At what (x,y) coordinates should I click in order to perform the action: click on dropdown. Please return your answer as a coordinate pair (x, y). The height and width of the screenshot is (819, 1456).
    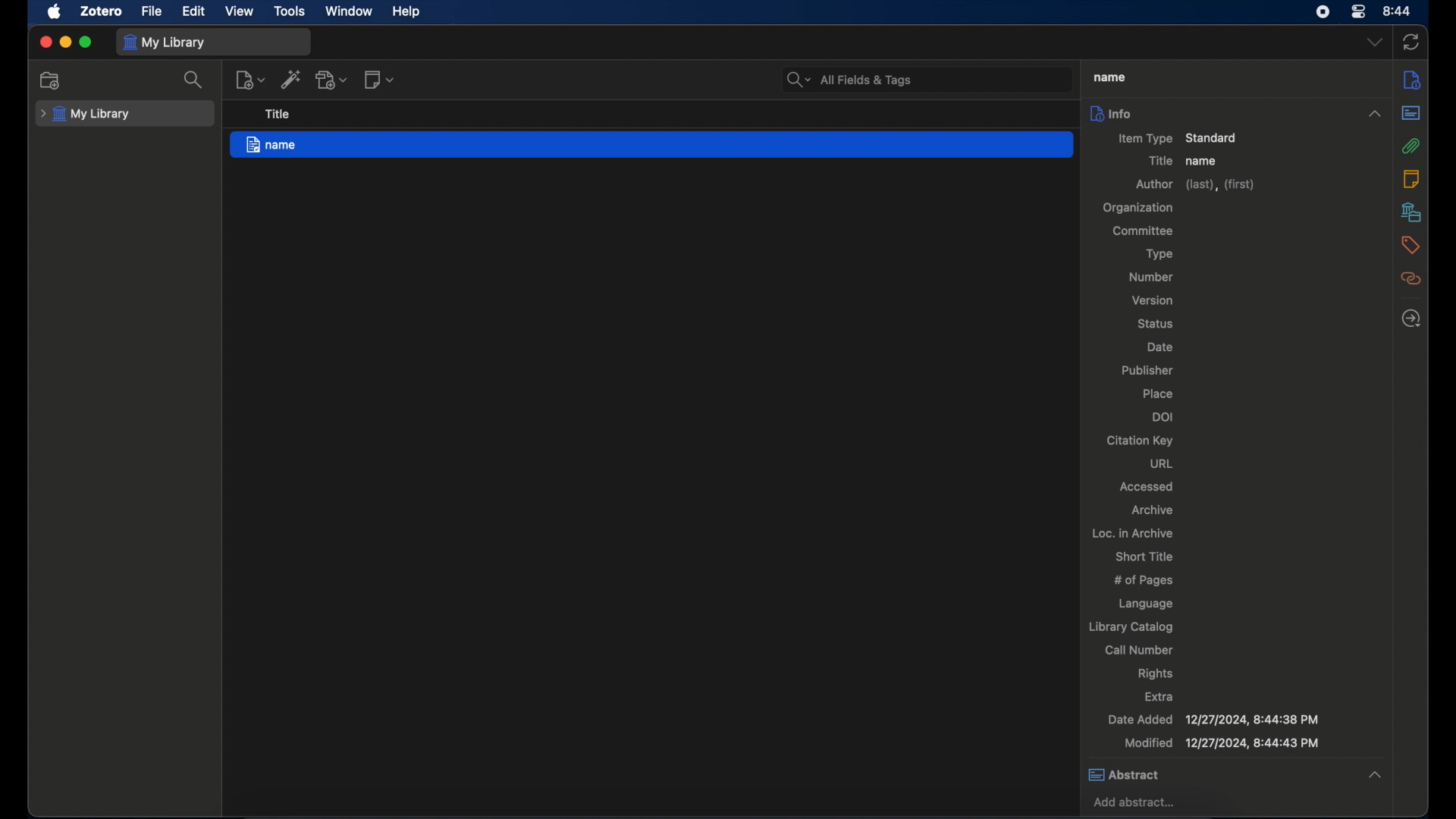
    Looking at the image, I should click on (1375, 42).